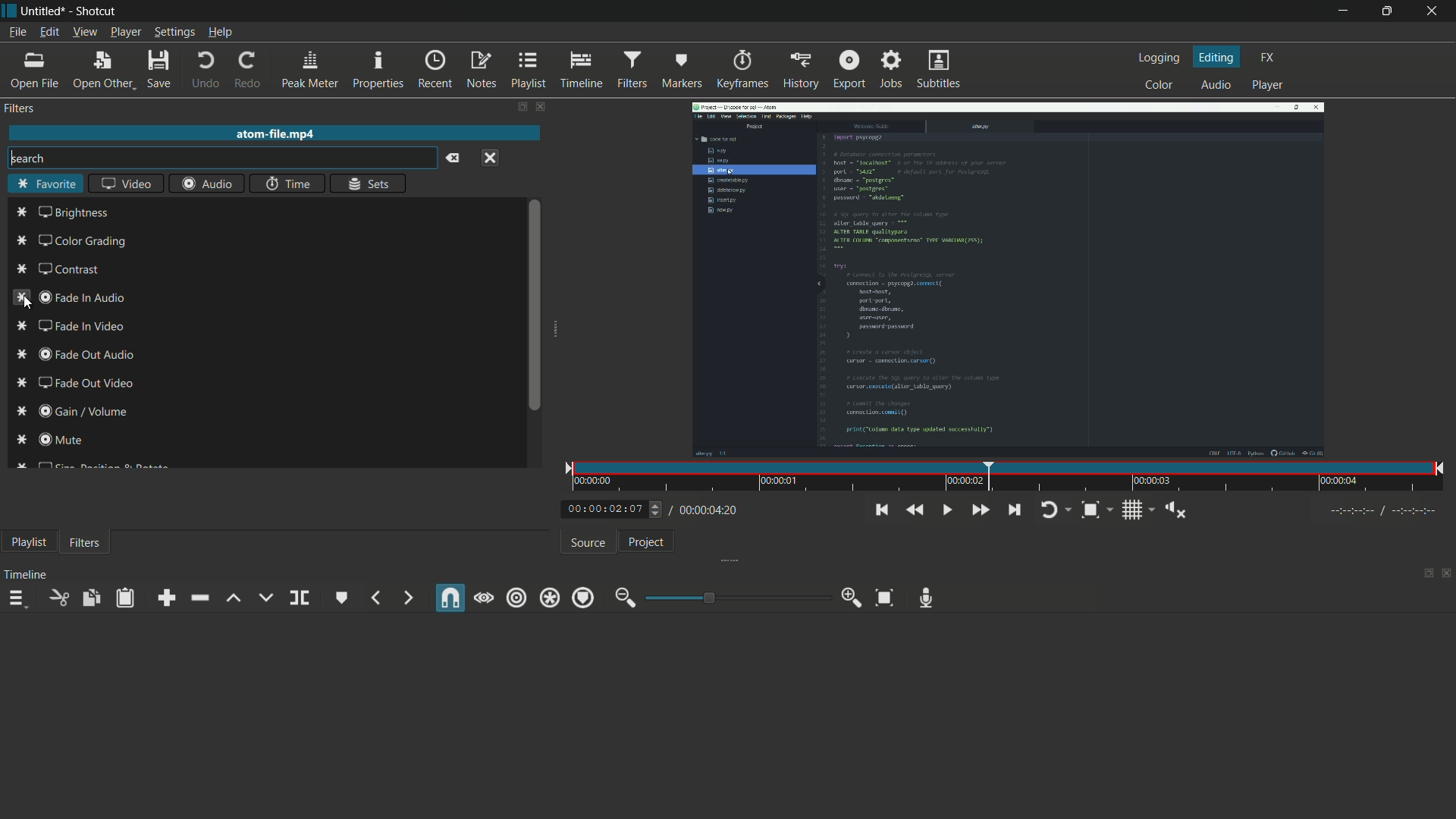 This screenshot has height=819, width=1456. Describe the element at coordinates (234, 598) in the screenshot. I see `lift` at that location.